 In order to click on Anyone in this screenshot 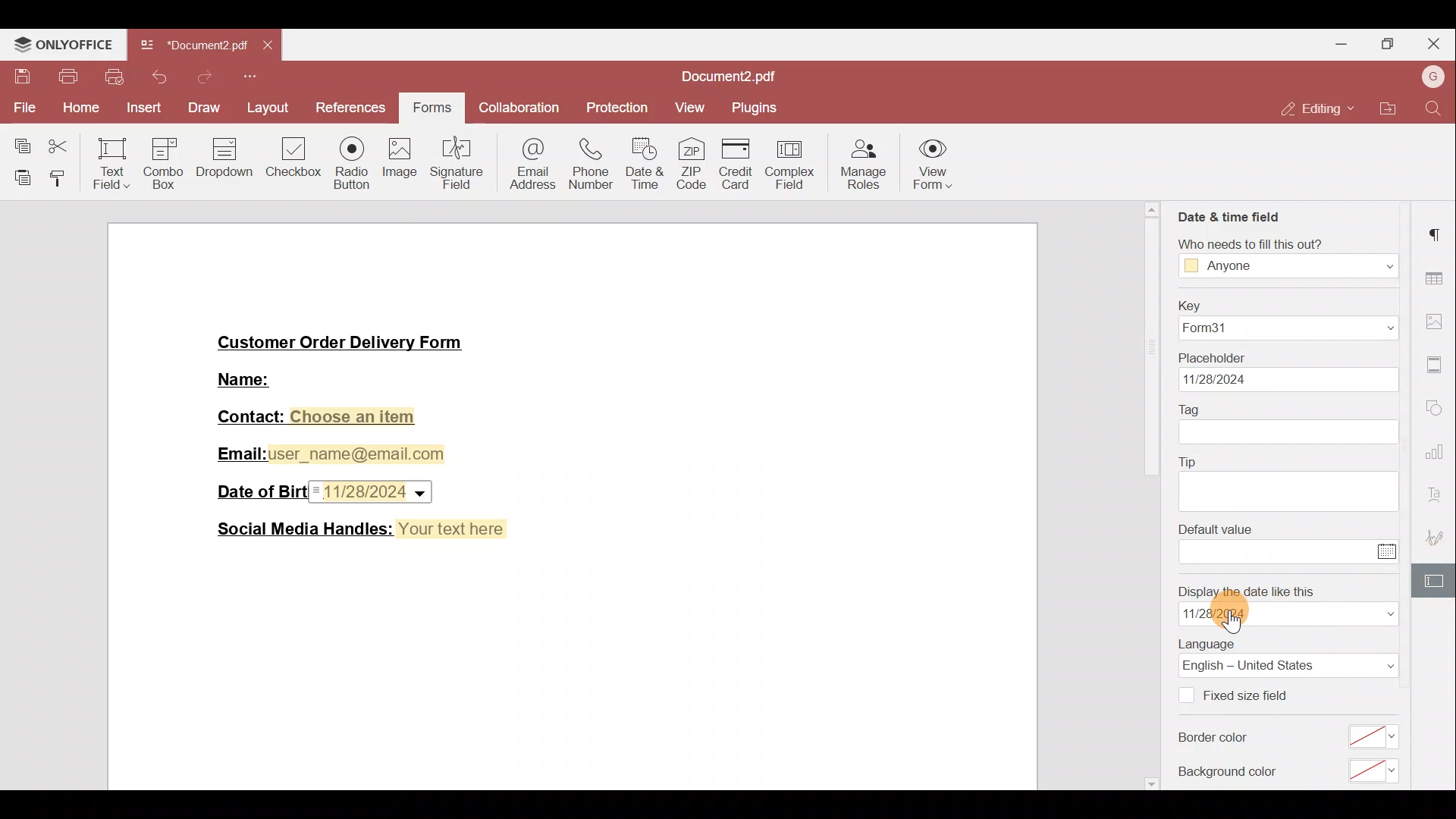, I will do `click(1290, 265)`.